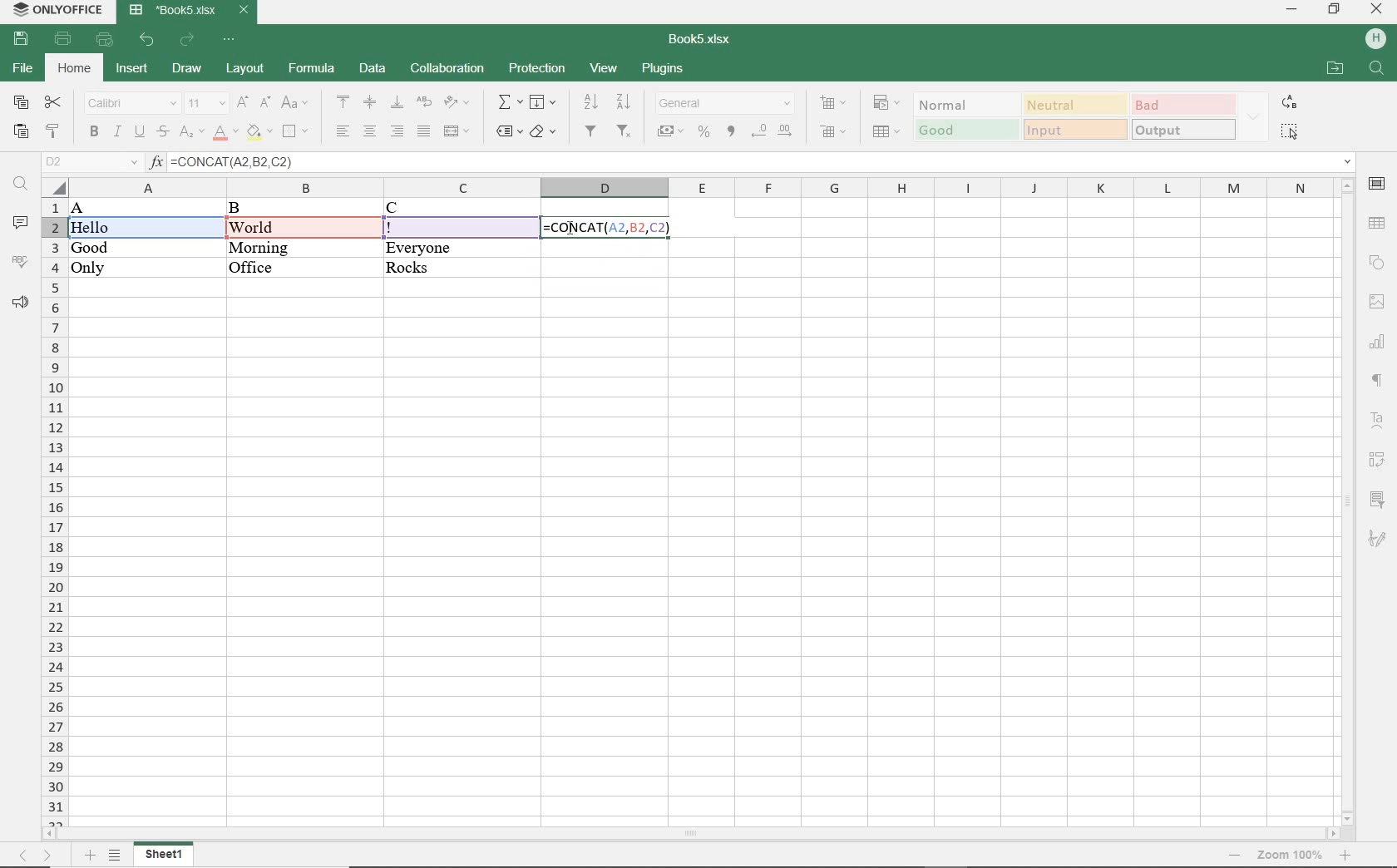 This screenshot has width=1397, height=868. I want to click on SUBSCRIPT/SUPERSCRIPT, so click(189, 133).